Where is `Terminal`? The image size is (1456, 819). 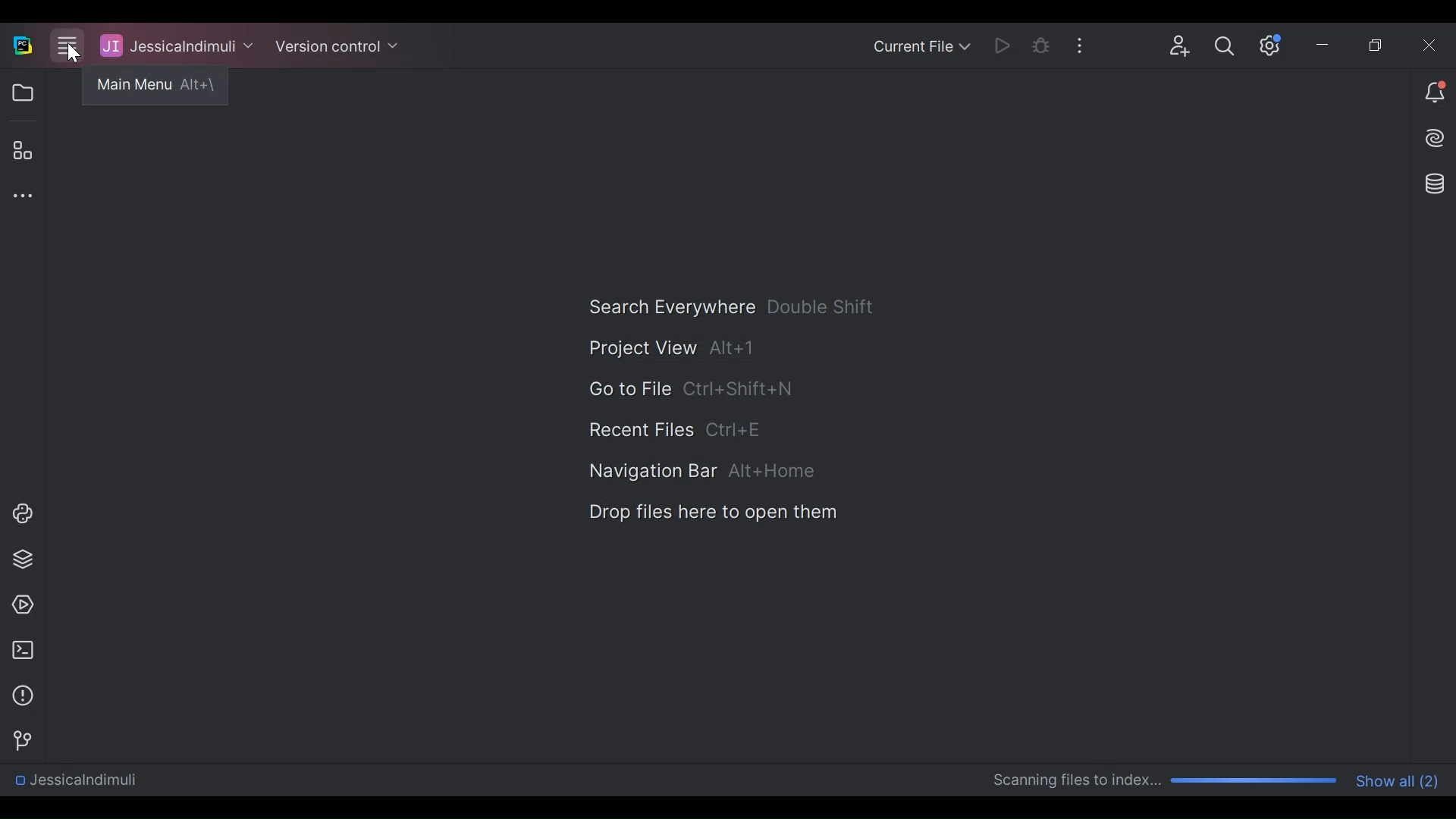 Terminal is located at coordinates (19, 650).